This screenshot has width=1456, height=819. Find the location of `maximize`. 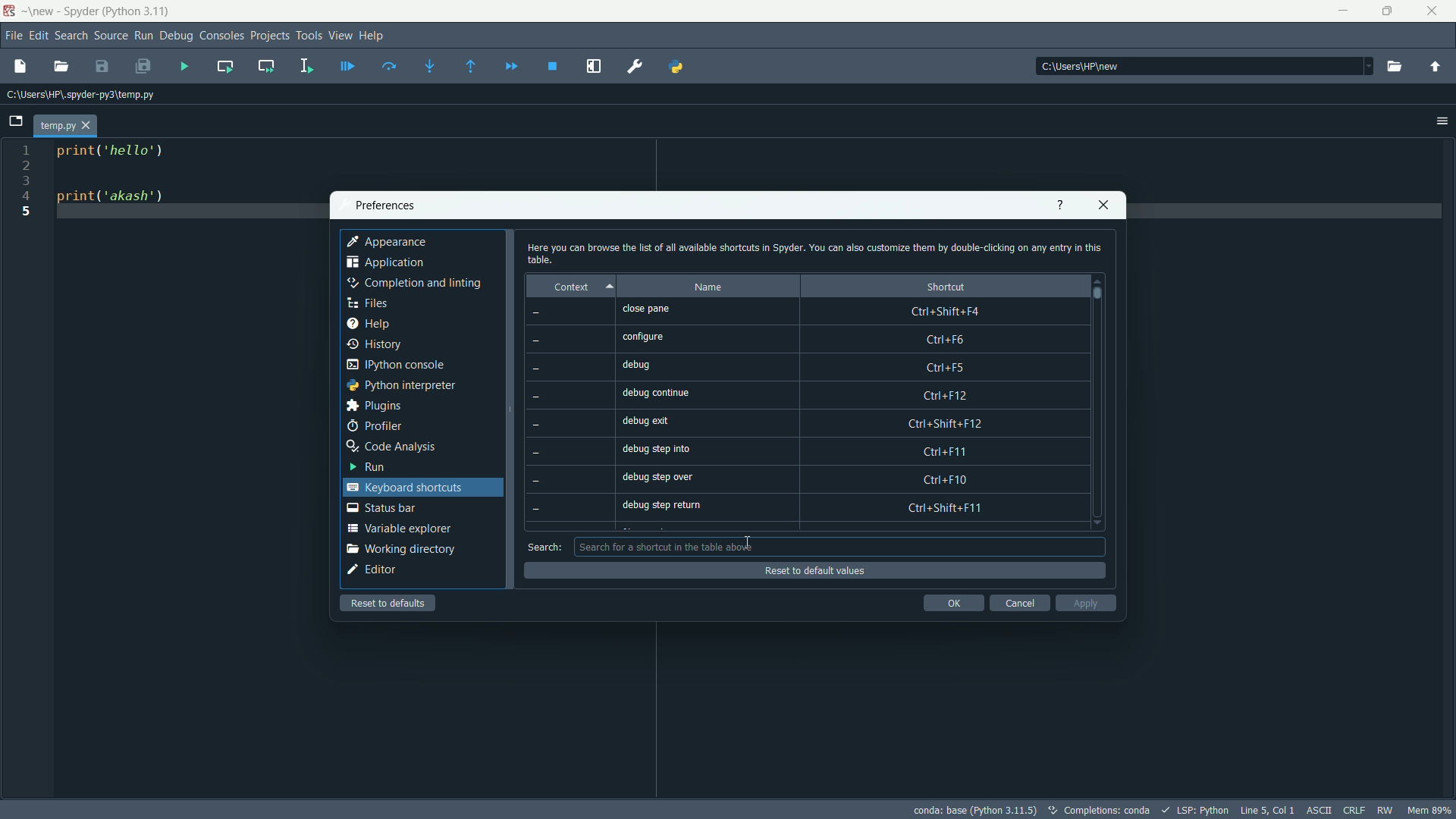

maximize is located at coordinates (1388, 11).